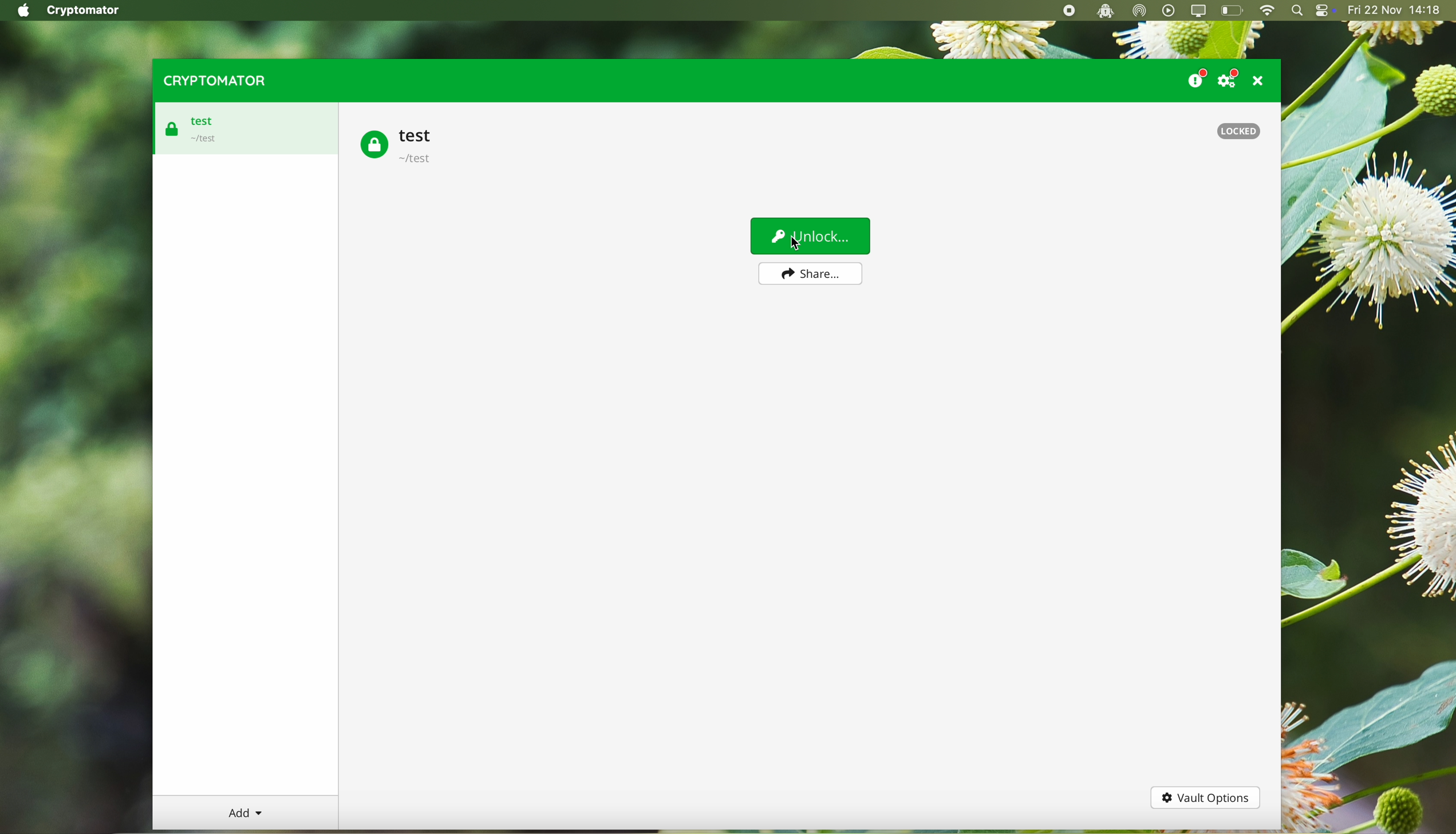 This screenshot has width=1456, height=834. What do you see at coordinates (1266, 11) in the screenshot?
I see `wifi` at bounding box center [1266, 11].